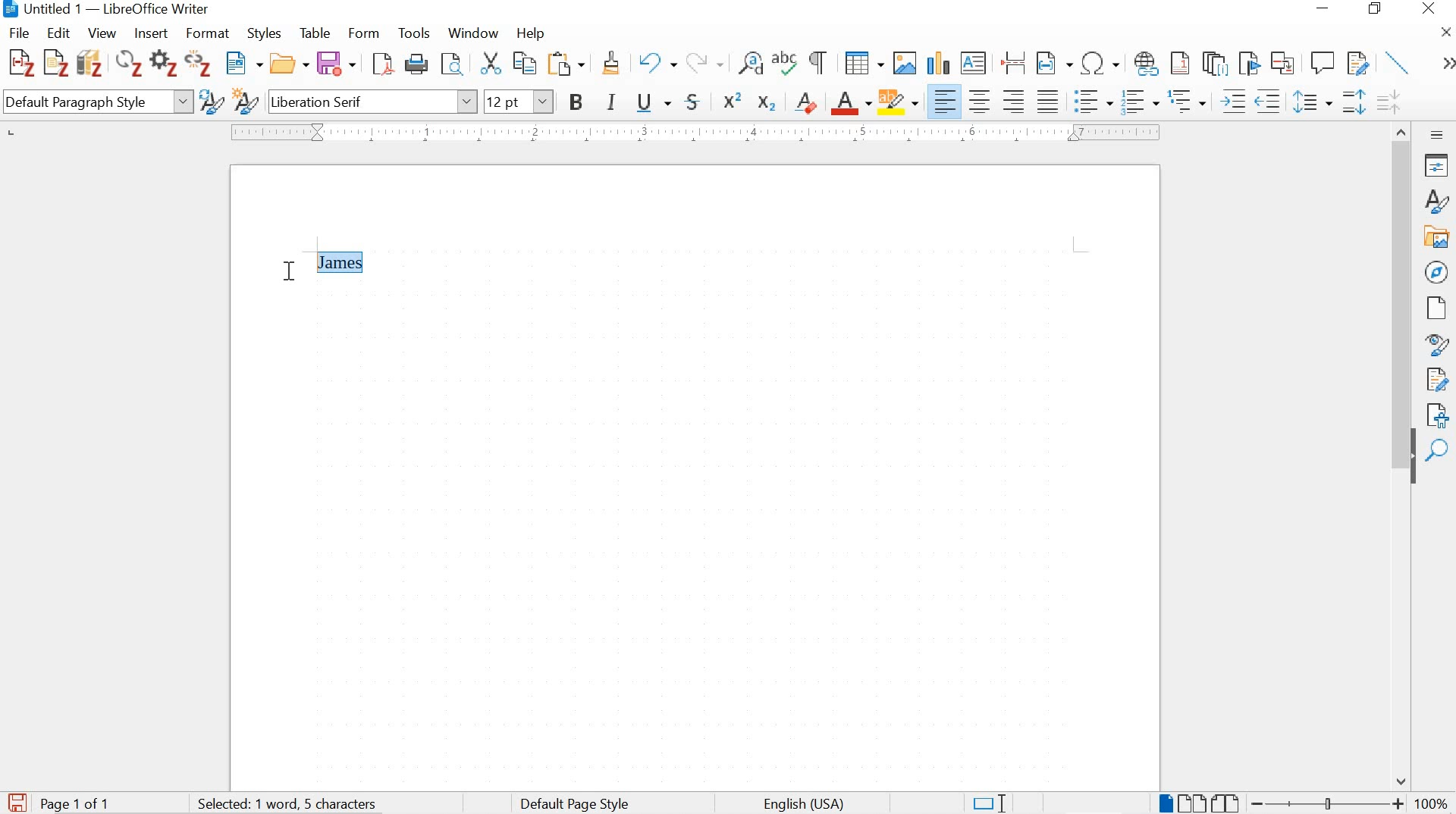 Image resolution: width=1456 pixels, height=814 pixels. Describe the element at coordinates (523, 63) in the screenshot. I see `copy` at that location.